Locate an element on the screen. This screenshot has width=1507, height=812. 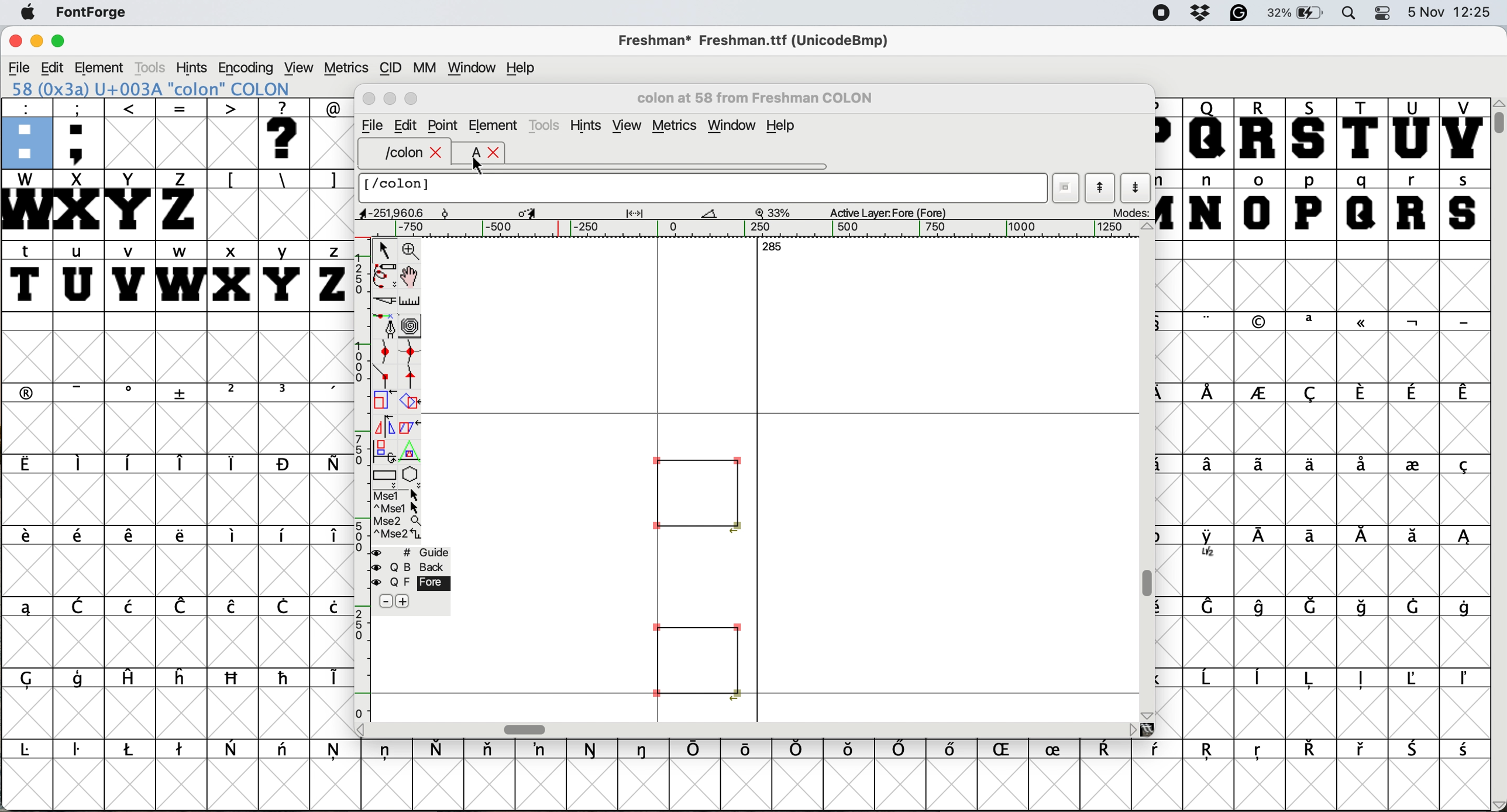
symbol is located at coordinates (1463, 539).